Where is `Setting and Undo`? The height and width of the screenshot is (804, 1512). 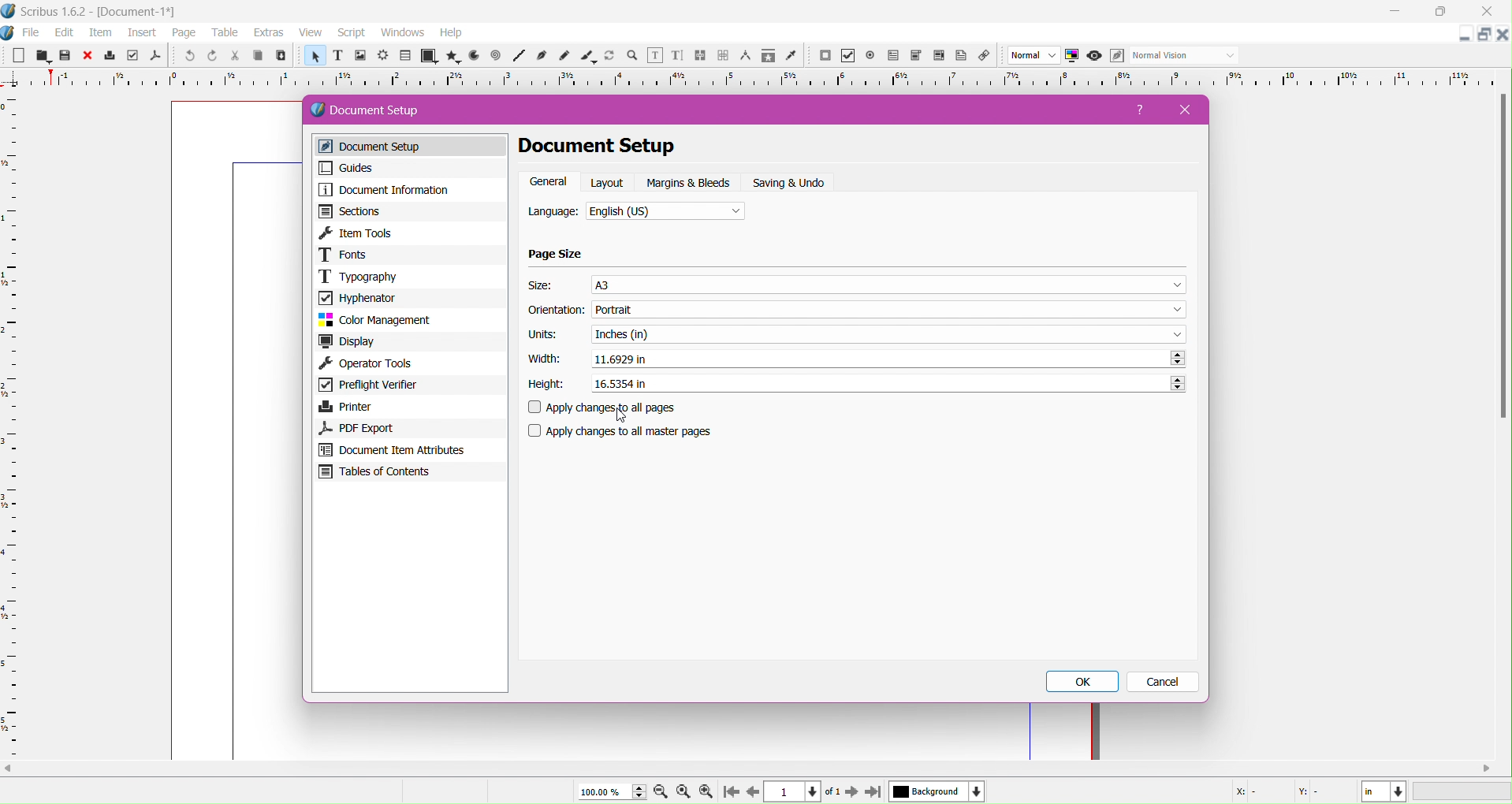
Setting and Undo is located at coordinates (795, 183).